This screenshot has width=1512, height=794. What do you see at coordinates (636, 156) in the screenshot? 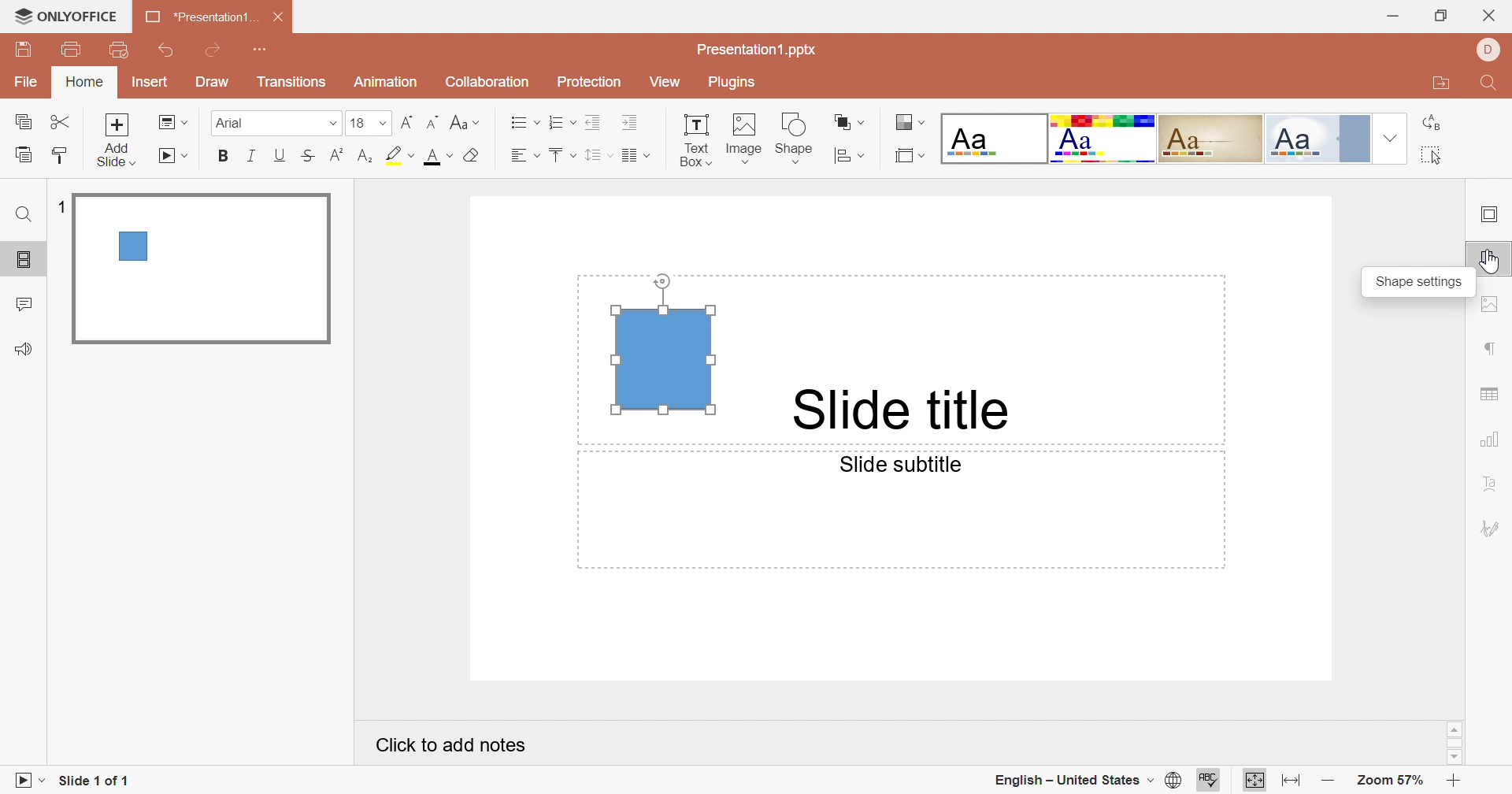
I see `Insert columns` at bounding box center [636, 156].